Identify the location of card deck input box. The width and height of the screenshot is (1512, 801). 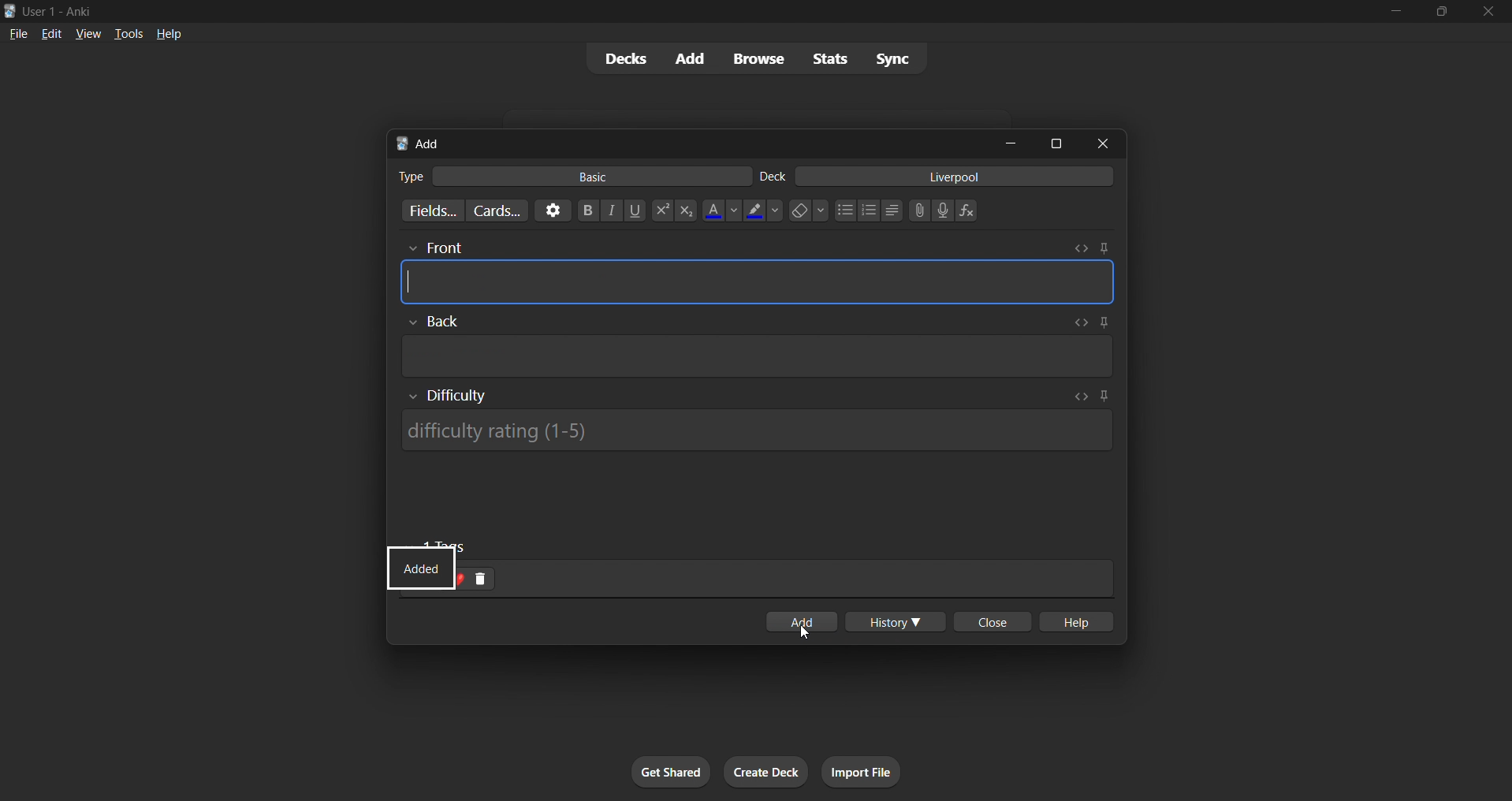
(940, 179).